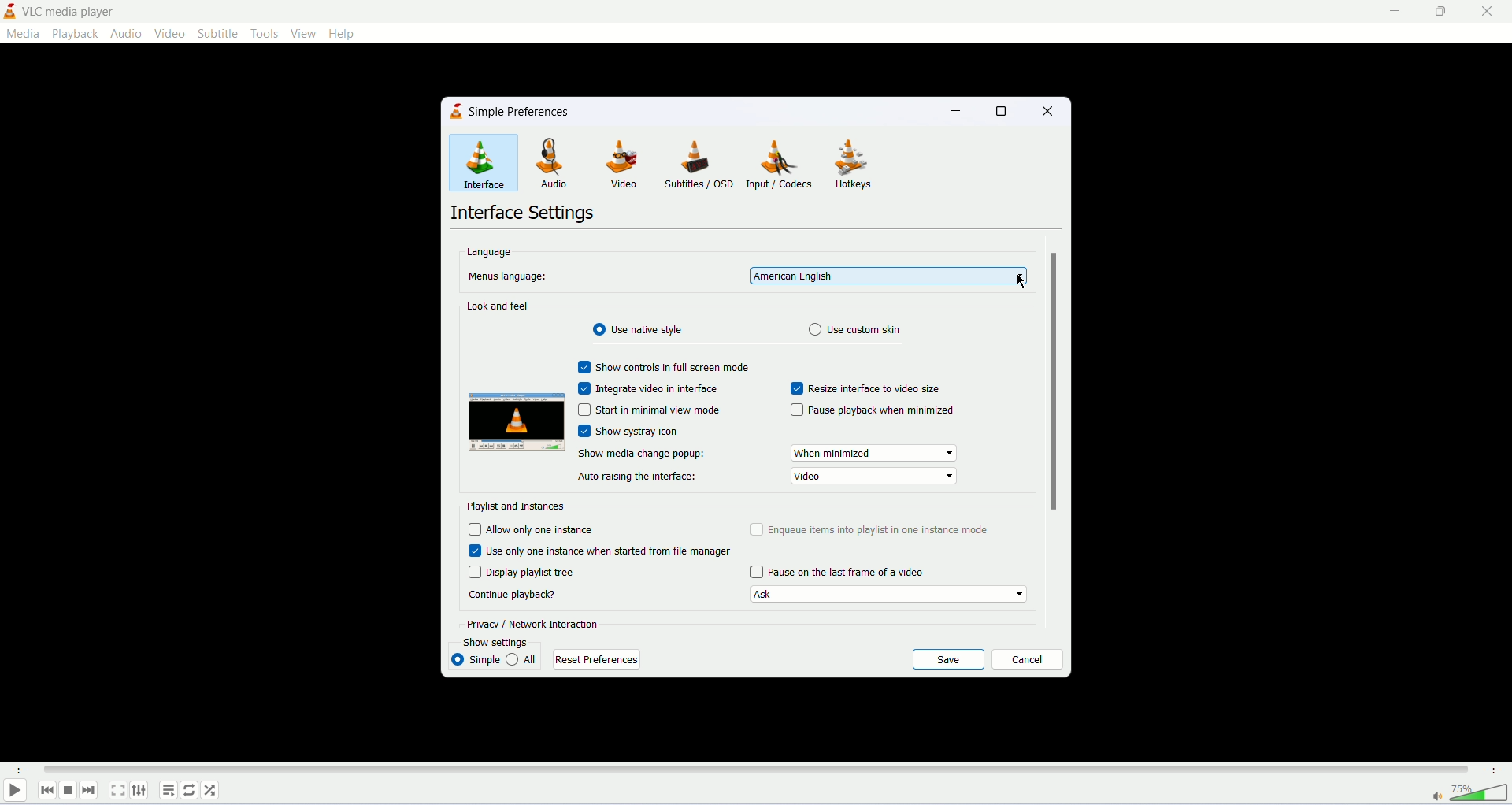  What do you see at coordinates (995, 109) in the screenshot?
I see `maximize` at bounding box center [995, 109].